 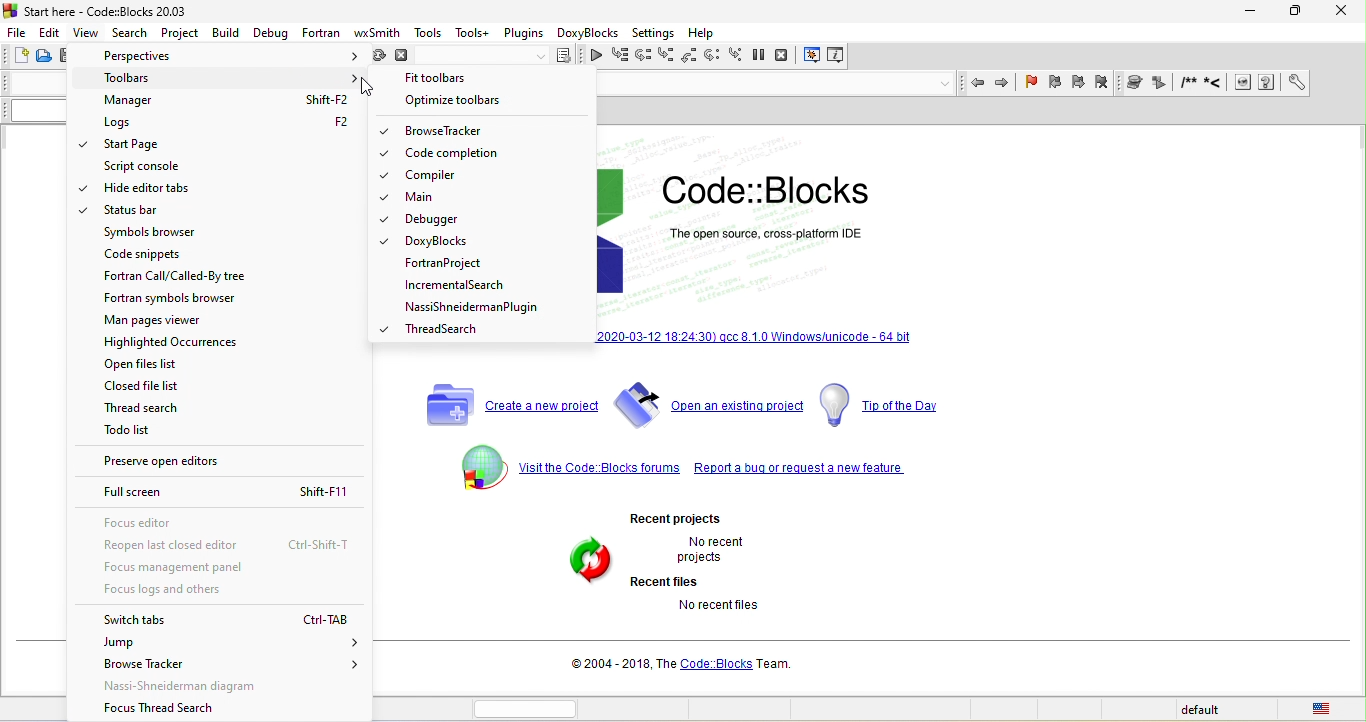 What do you see at coordinates (591, 32) in the screenshot?
I see `doxyblocks` at bounding box center [591, 32].